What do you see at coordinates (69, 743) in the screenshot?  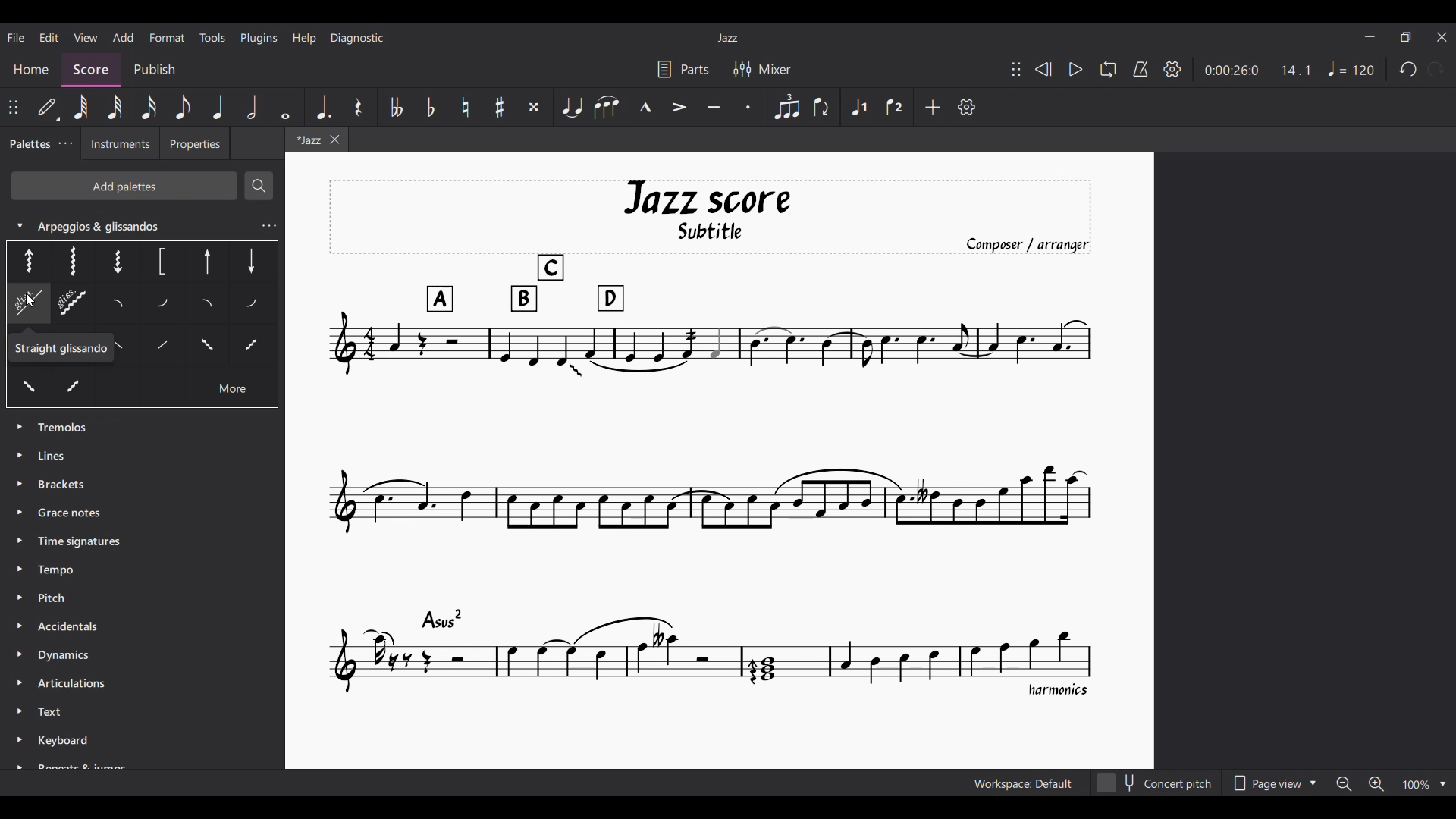 I see `Keyboard` at bounding box center [69, 743].